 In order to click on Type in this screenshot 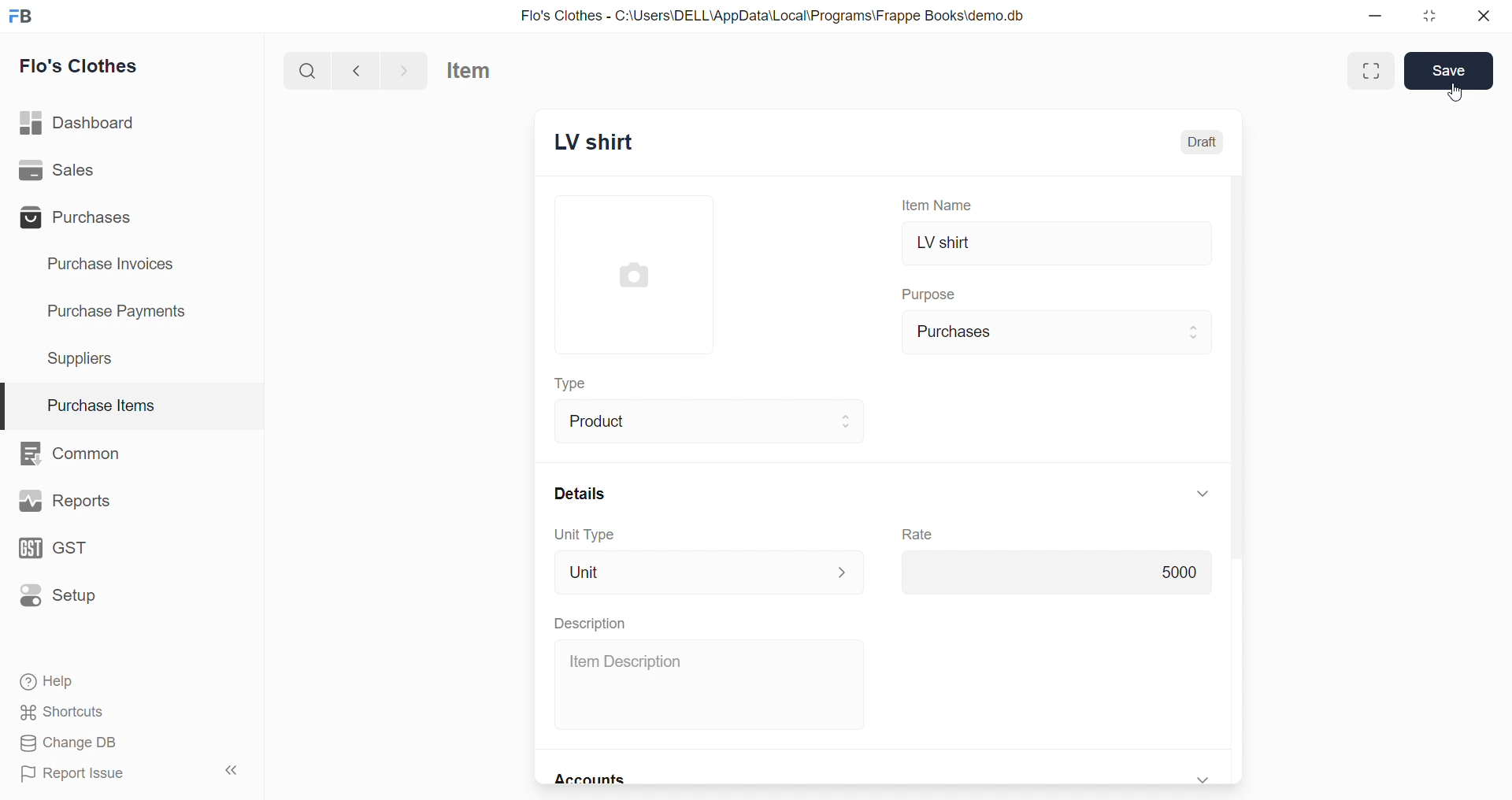, I will do `click(577, 385)`.